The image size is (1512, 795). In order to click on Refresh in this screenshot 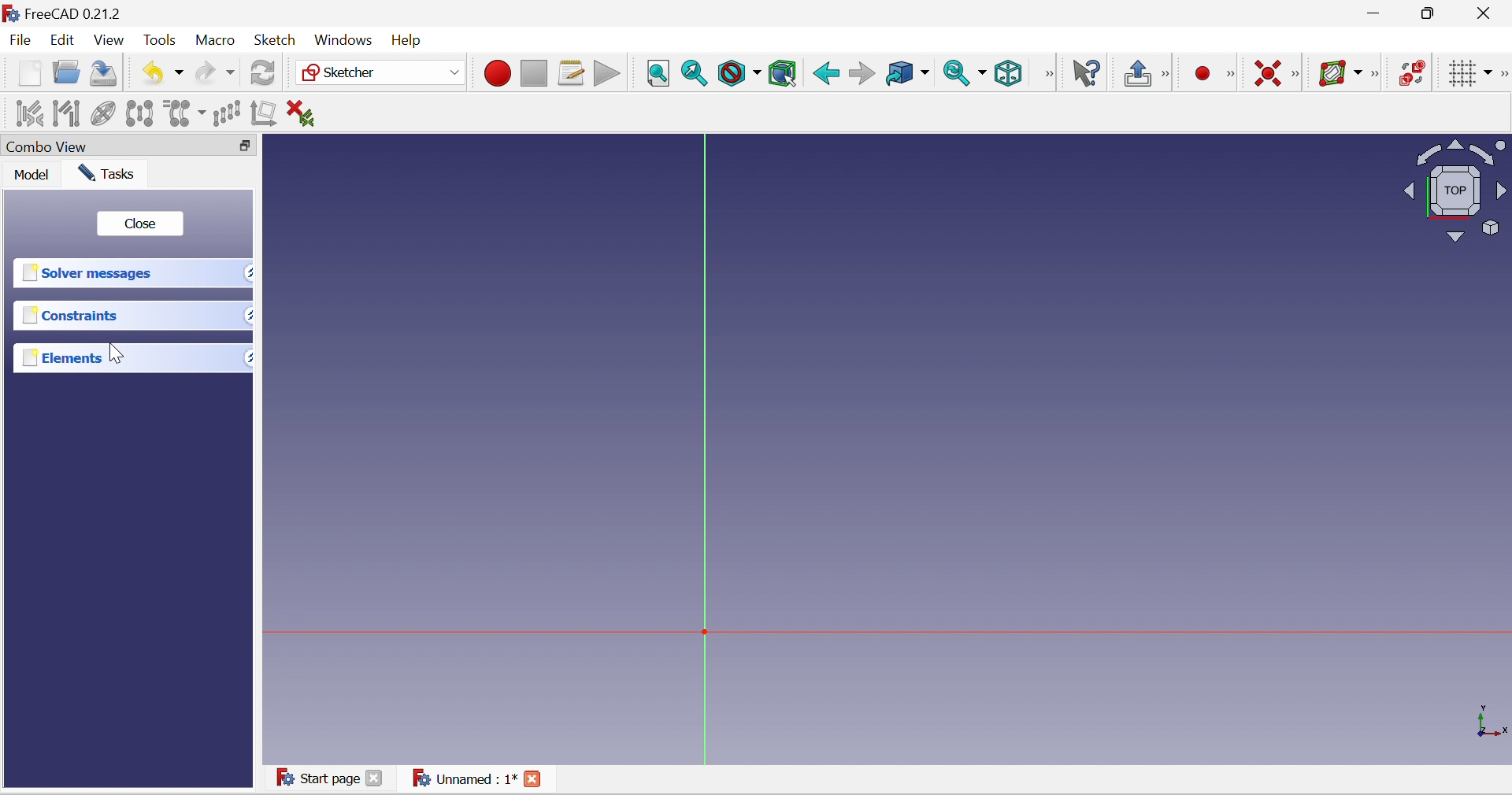, I will do `click(265, 74)`.